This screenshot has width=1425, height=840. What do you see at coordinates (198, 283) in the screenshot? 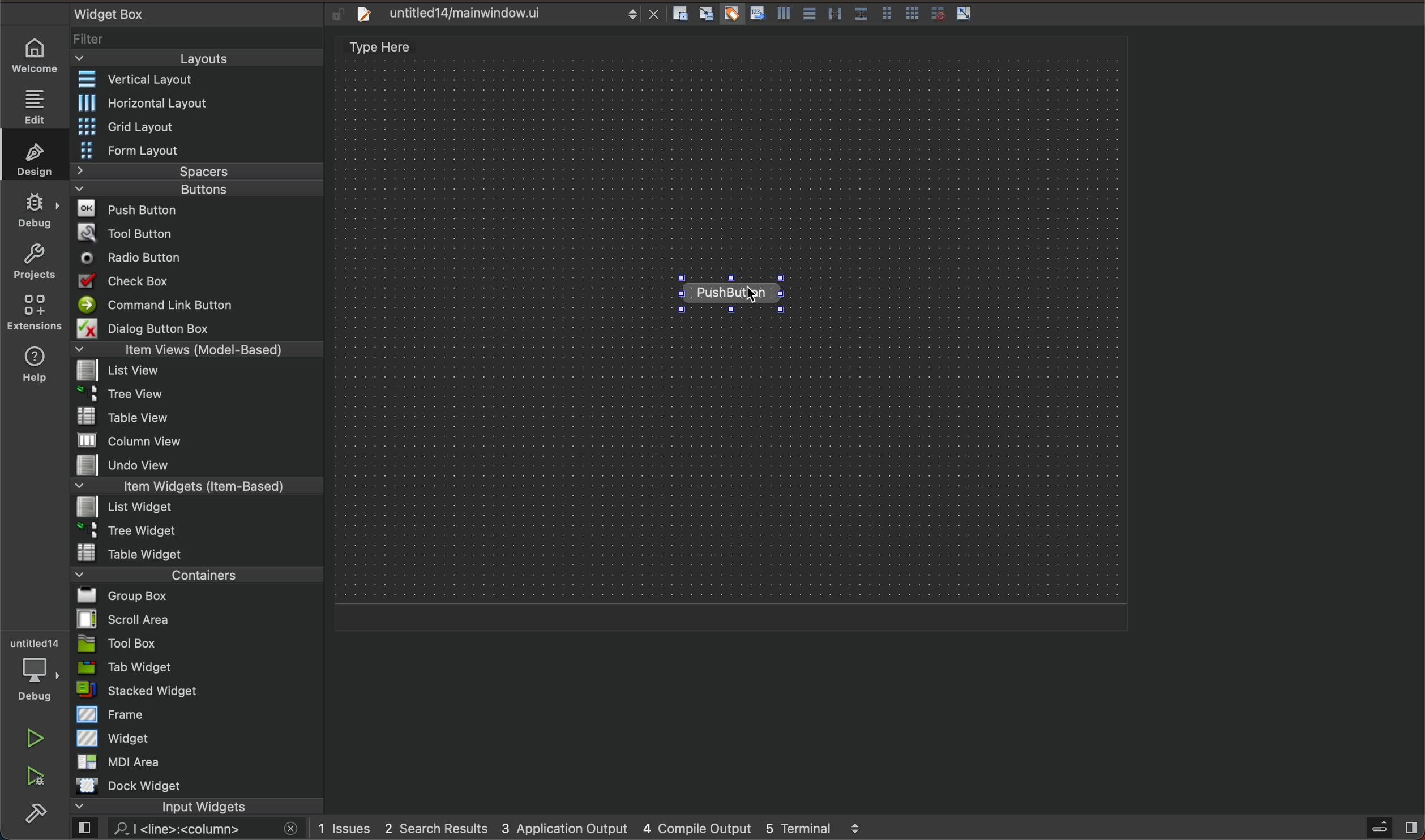
I see `checkbox` at bounding box center [198, 283].